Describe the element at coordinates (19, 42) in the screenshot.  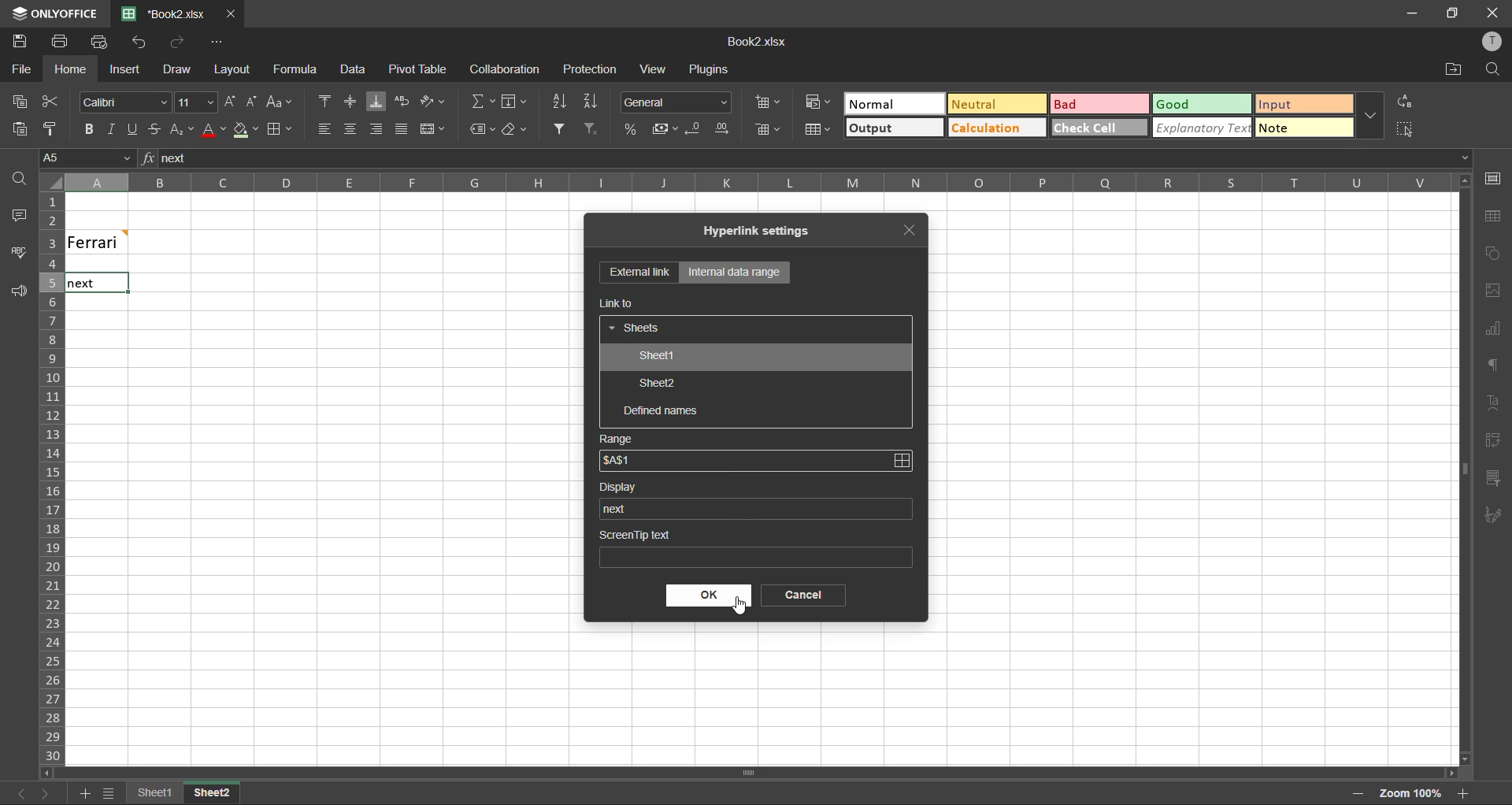
I see `save` at that location.